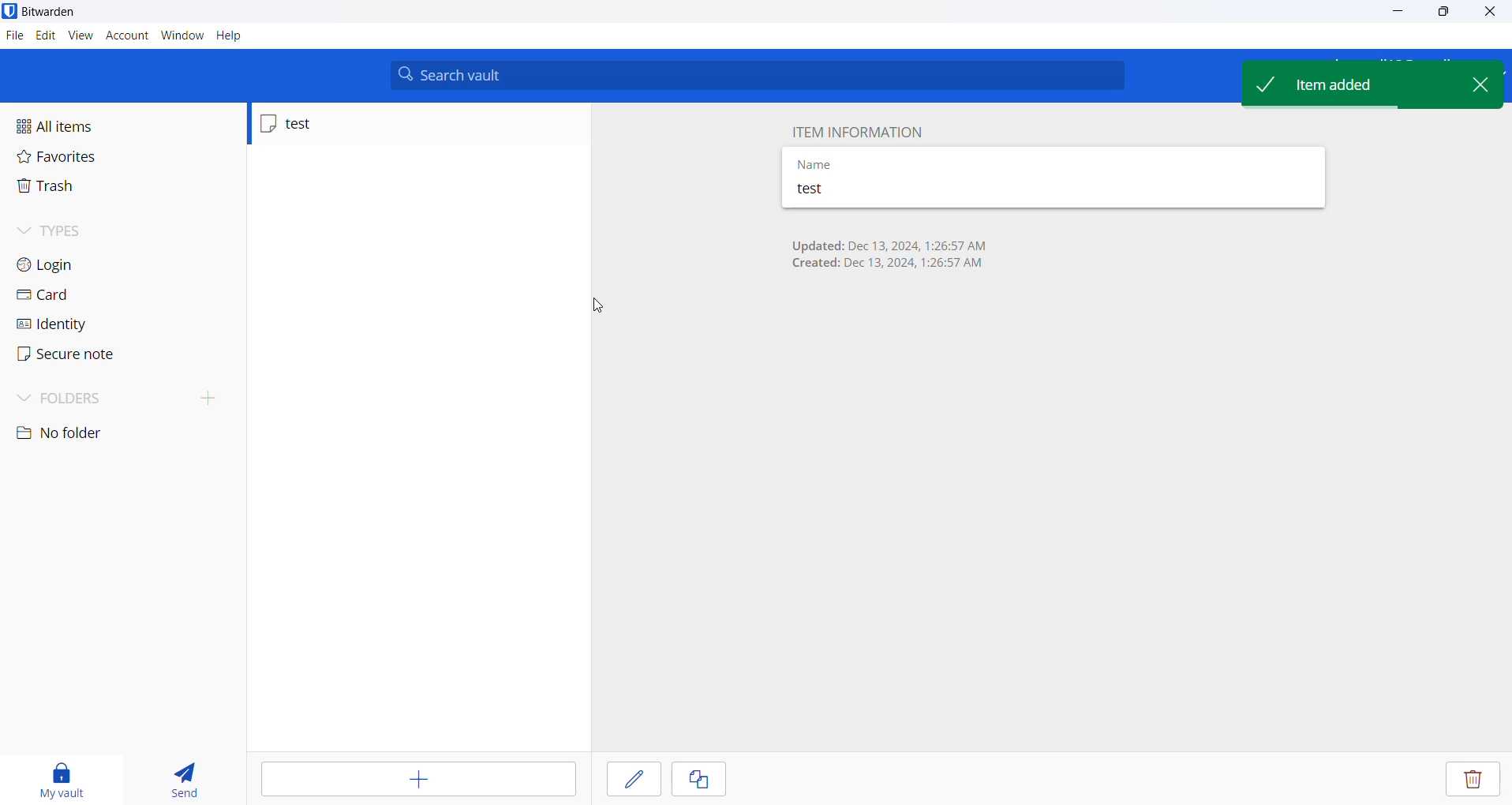  Describe the element at coordinates (68, 777) in the screenshot. I see `my vault` at that location.